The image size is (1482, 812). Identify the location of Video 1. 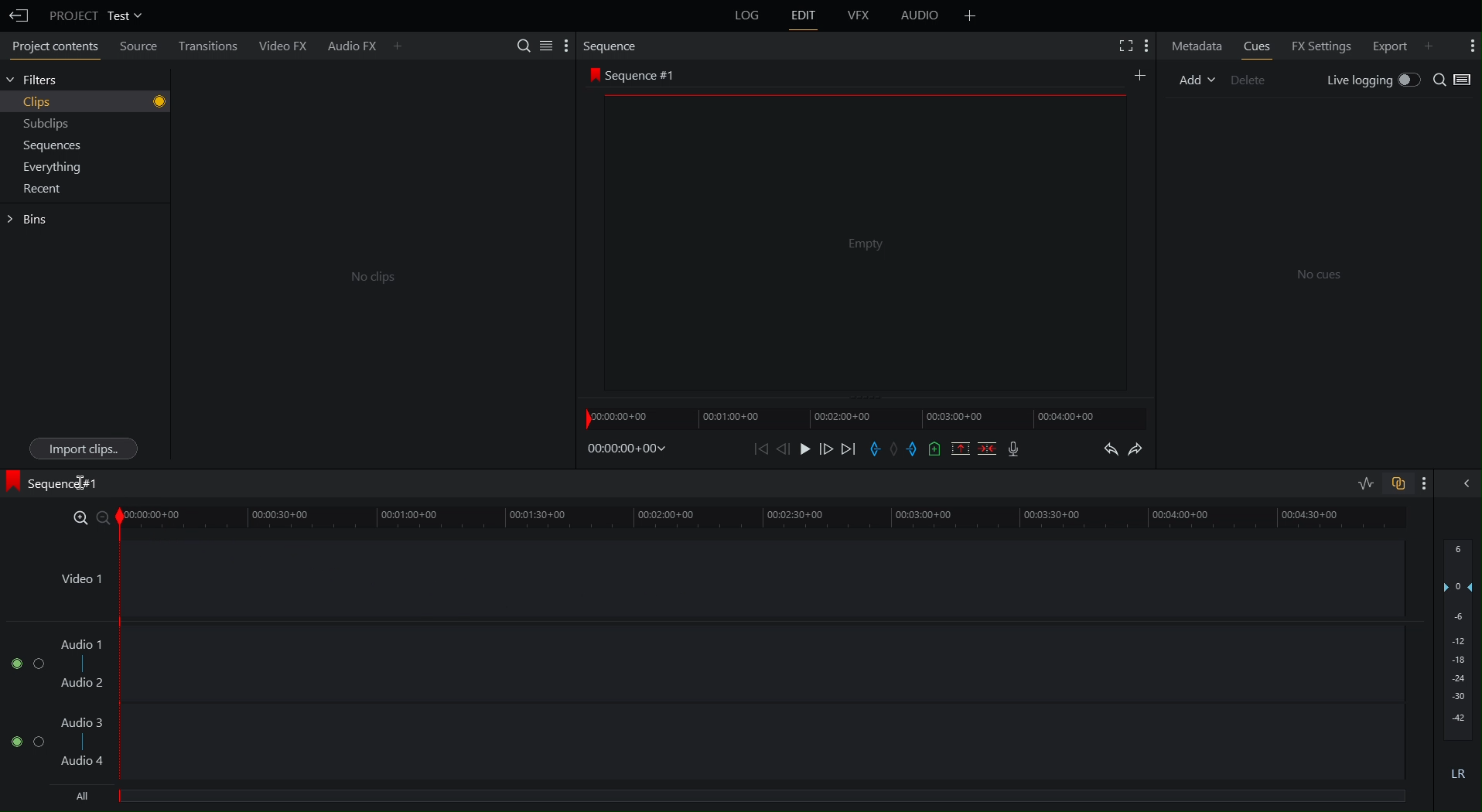
(79, 575).